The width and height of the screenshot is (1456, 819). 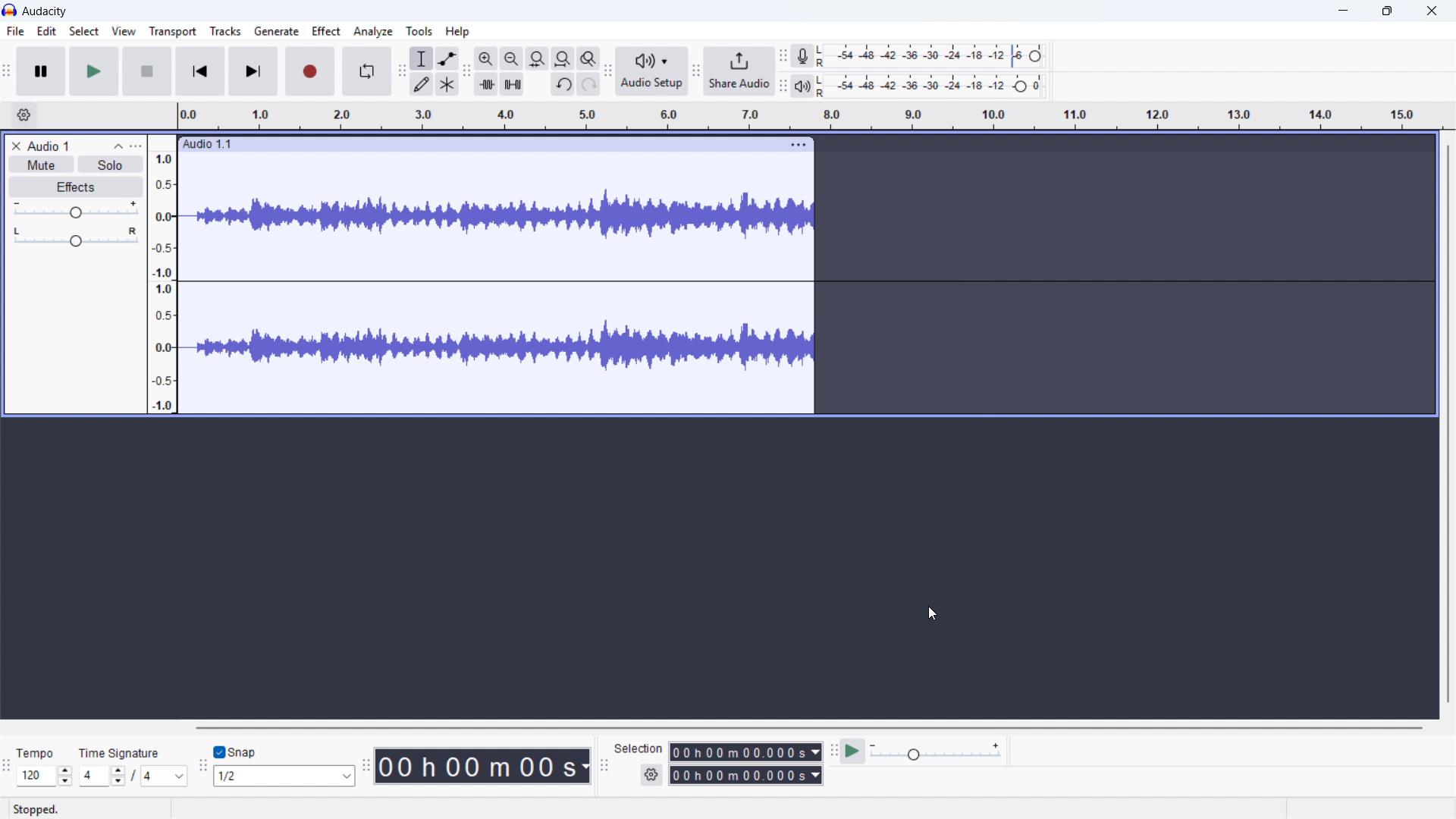 I want to click on Pause, so click(x=41, y=71).